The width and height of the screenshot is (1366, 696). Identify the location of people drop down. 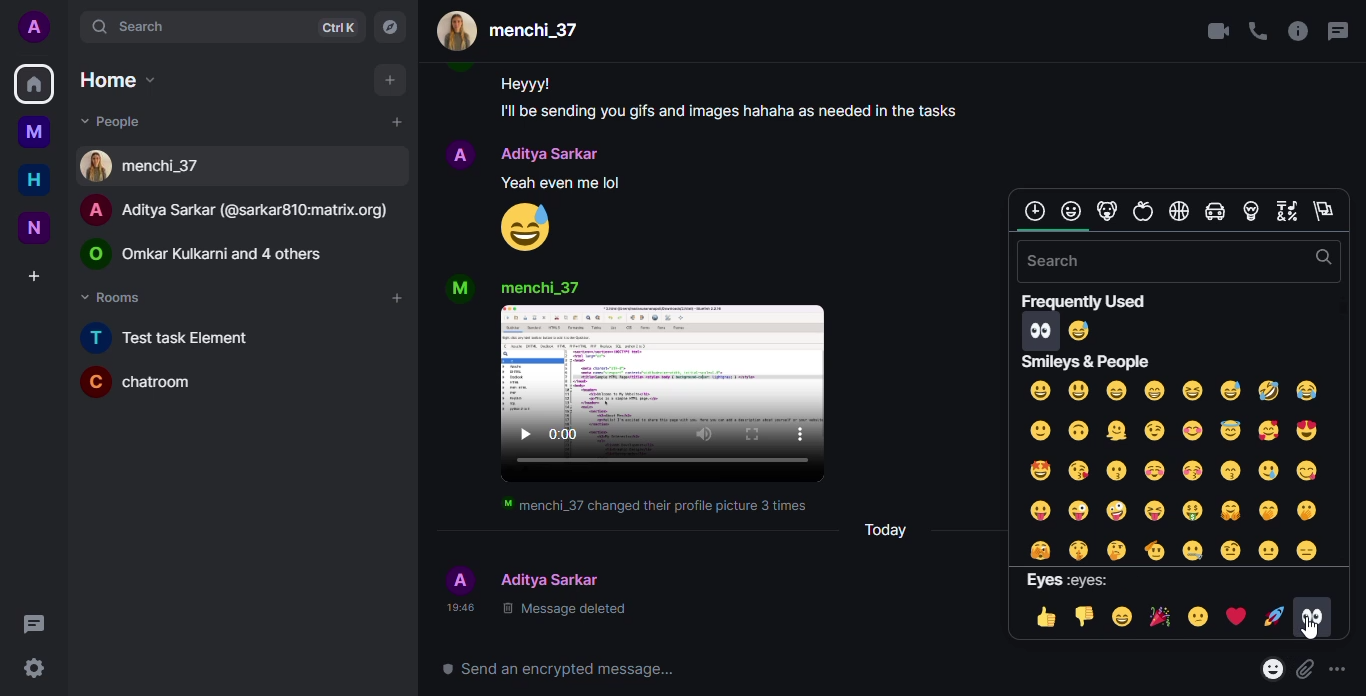
(113, 120).